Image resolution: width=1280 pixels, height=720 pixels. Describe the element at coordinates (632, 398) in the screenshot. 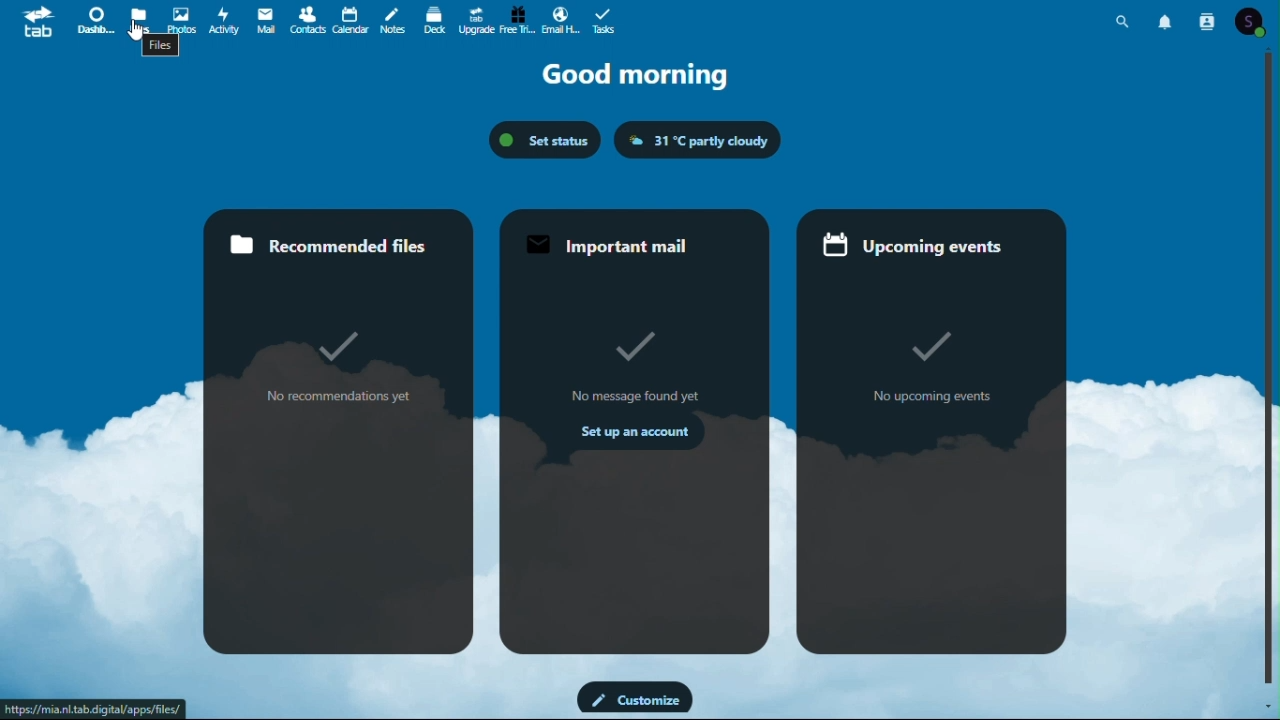

I see `No message found yet` at that location.